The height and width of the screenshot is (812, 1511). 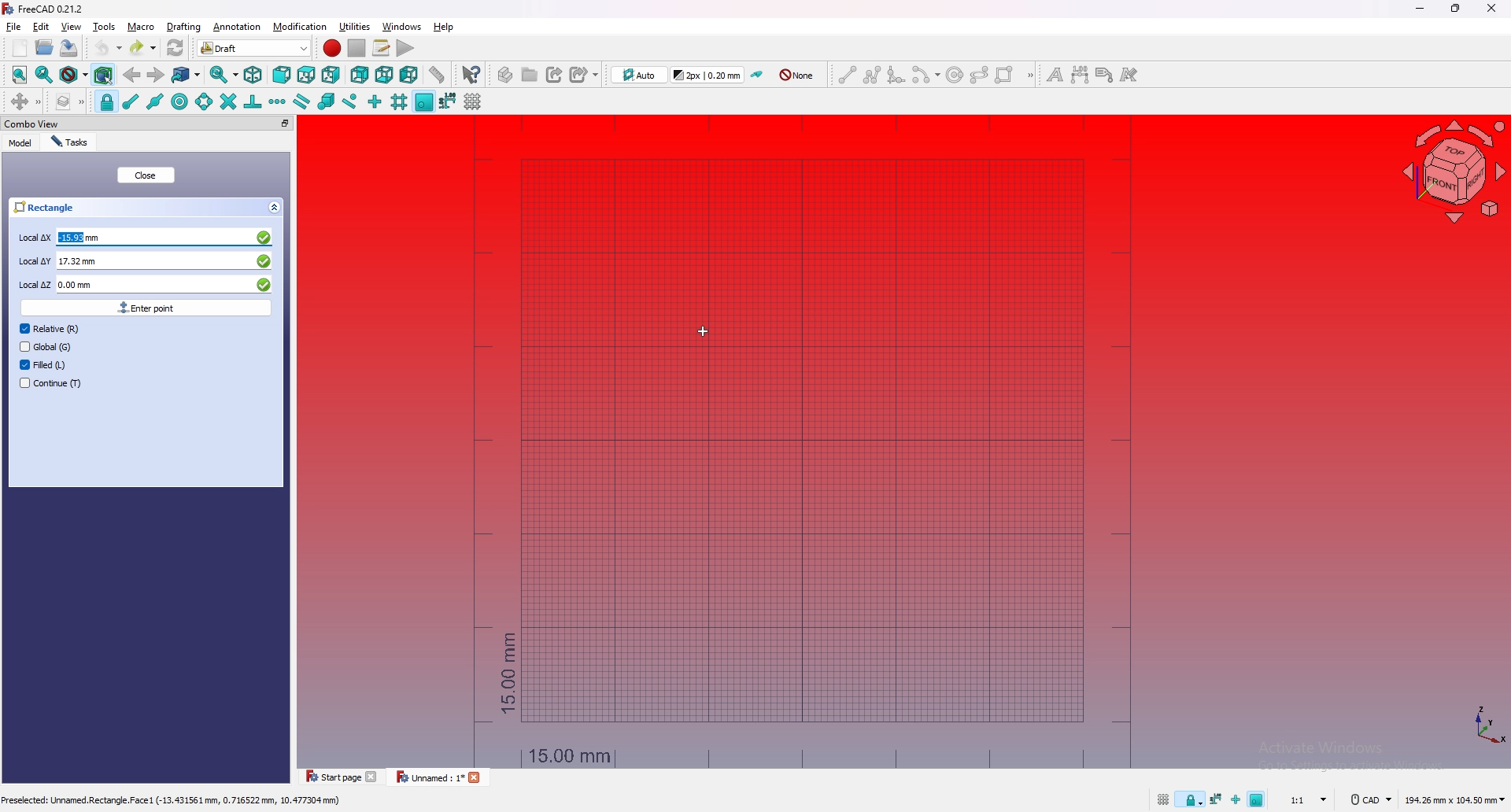 I want to click on measure distance, so click(x=437, y=74).